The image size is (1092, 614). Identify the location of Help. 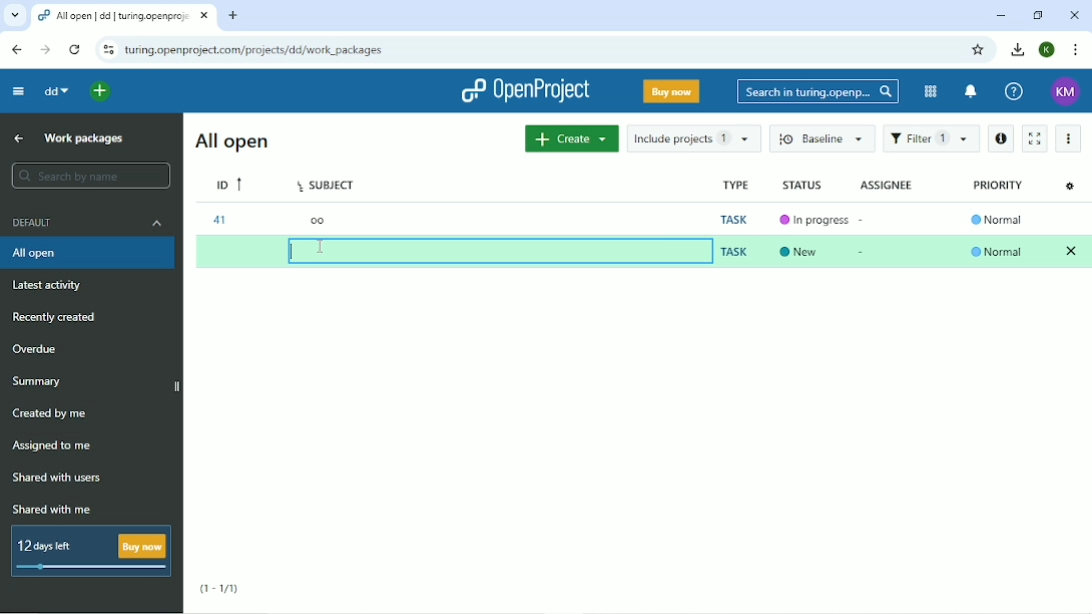
(1014, 92).